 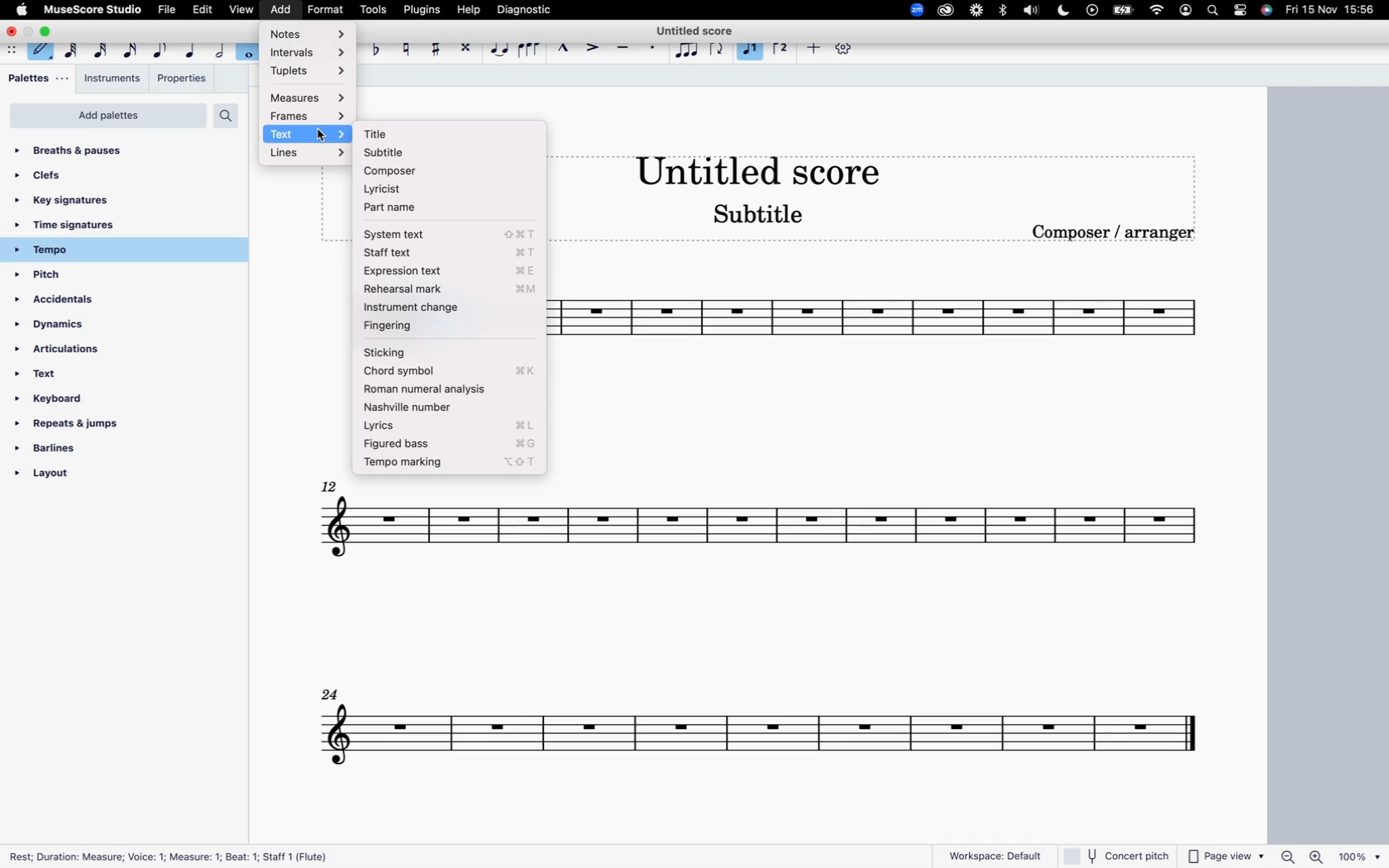 What do you see at coordinates (525, 9) in the screenshot?
I see `diagnostic` at bounding box center [525, 9].